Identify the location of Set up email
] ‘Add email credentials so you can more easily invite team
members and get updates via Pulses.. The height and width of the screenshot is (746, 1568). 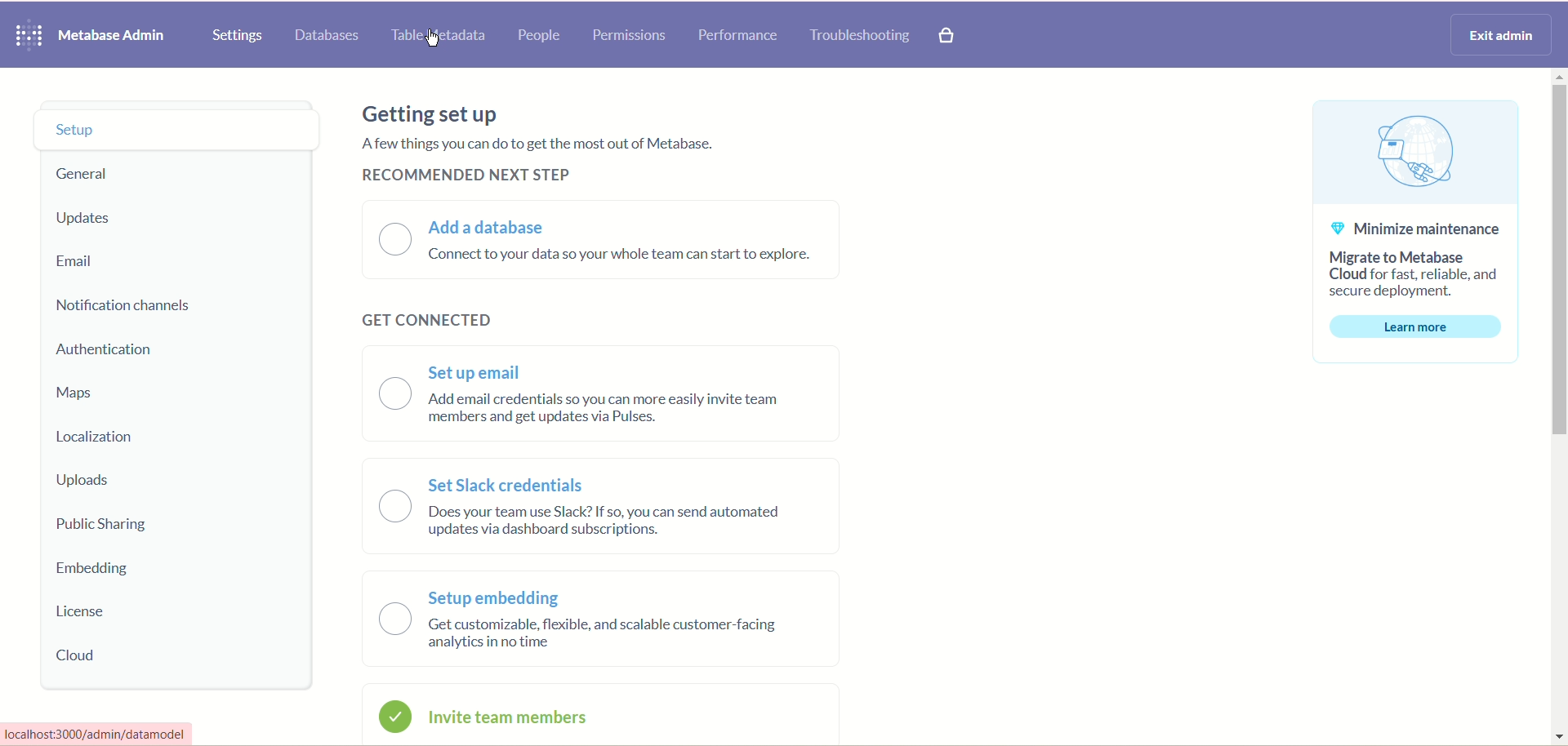
(621, 393).